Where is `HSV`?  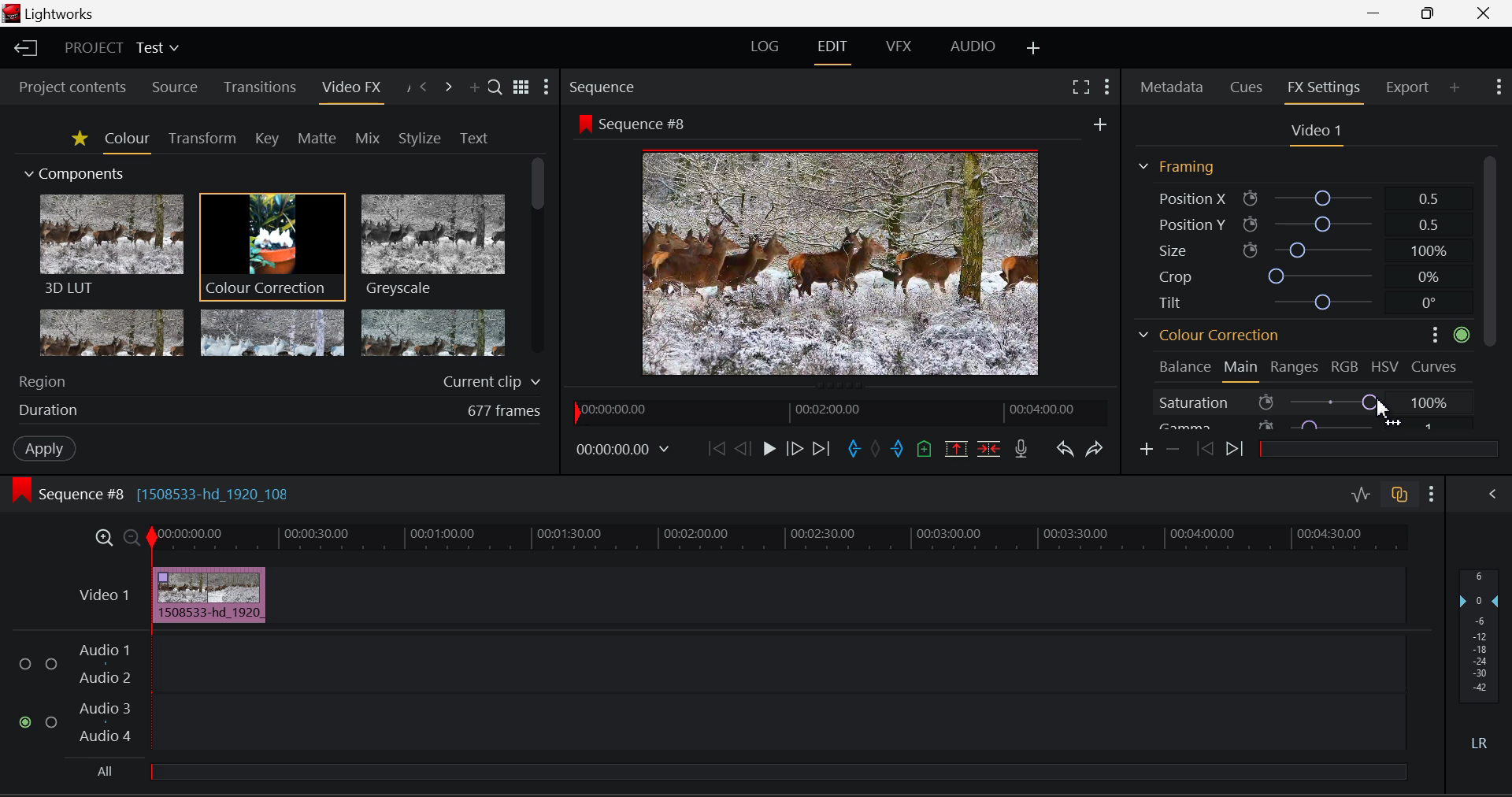
HSV is located at coordinates (1388, 366).